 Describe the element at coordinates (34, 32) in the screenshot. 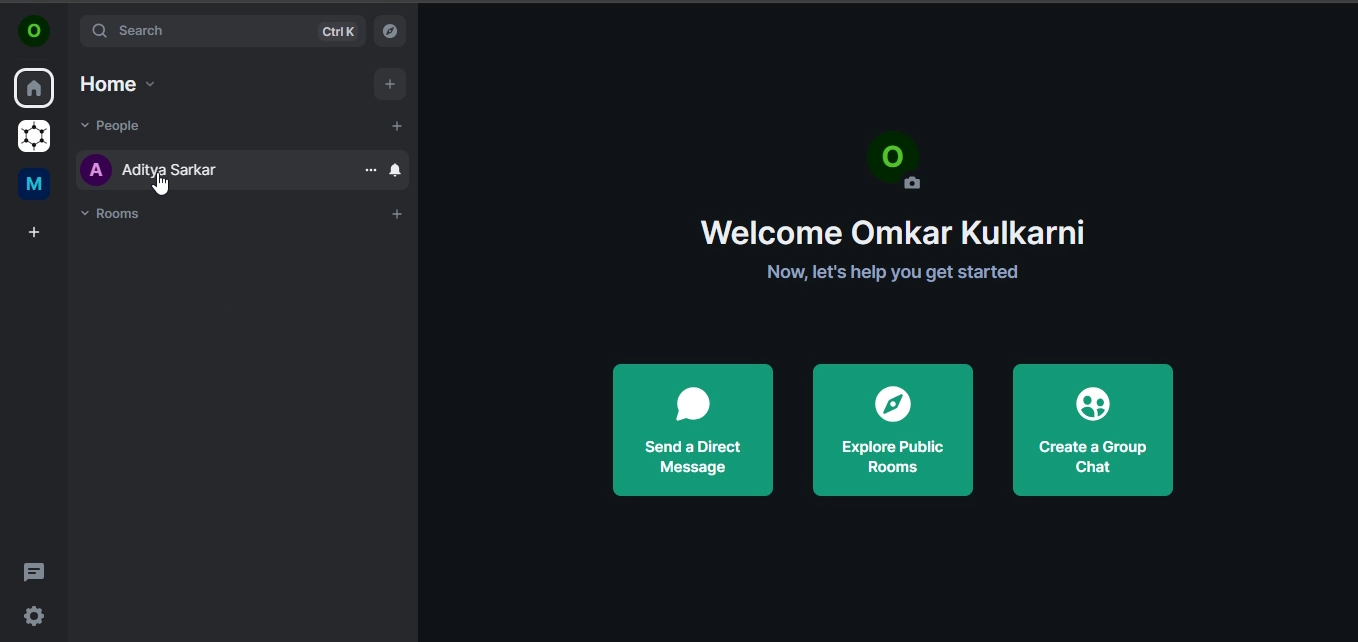

I see `icon` at that location.